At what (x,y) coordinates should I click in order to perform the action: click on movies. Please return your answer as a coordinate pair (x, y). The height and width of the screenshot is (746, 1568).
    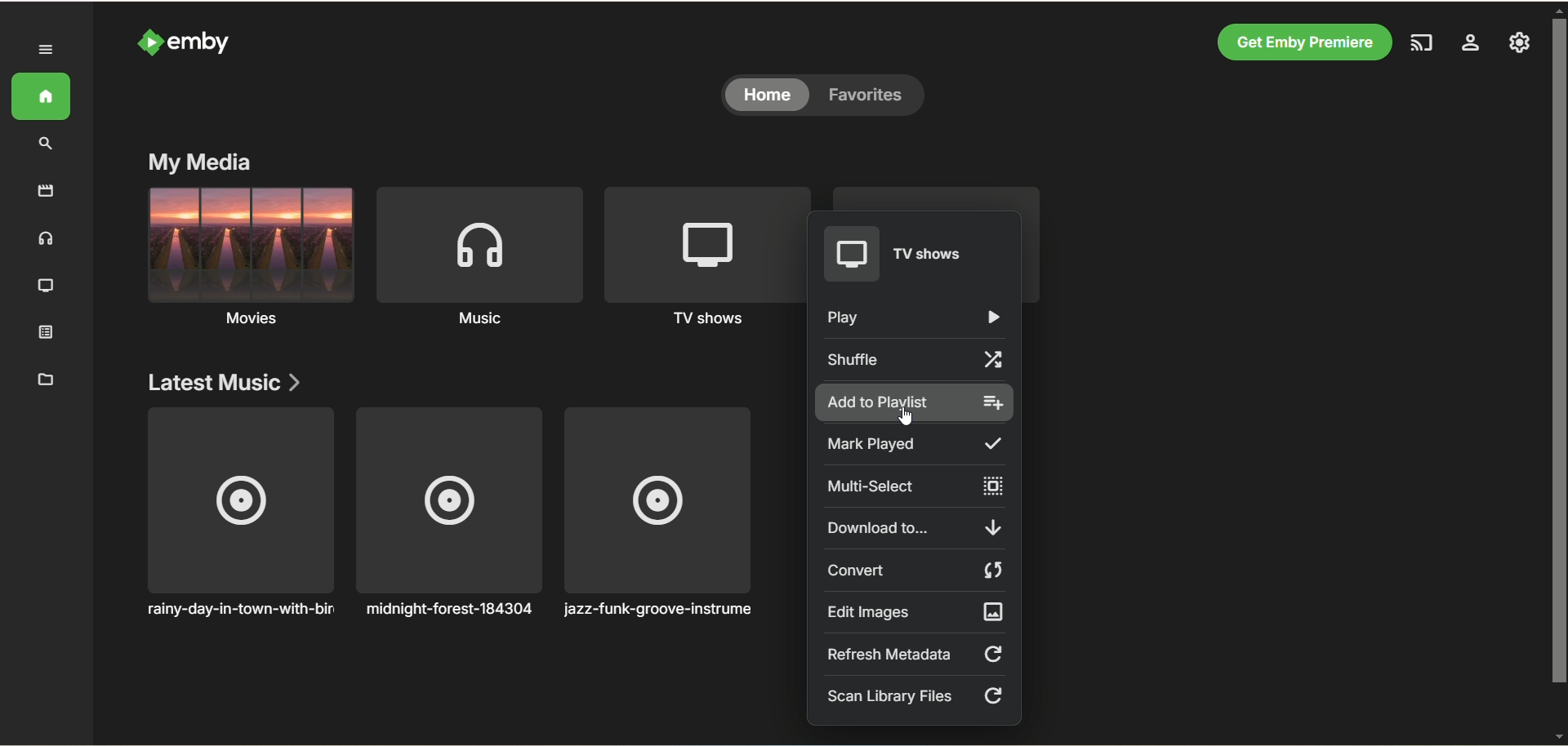
    Looking at the image, I should click on (46, 191).